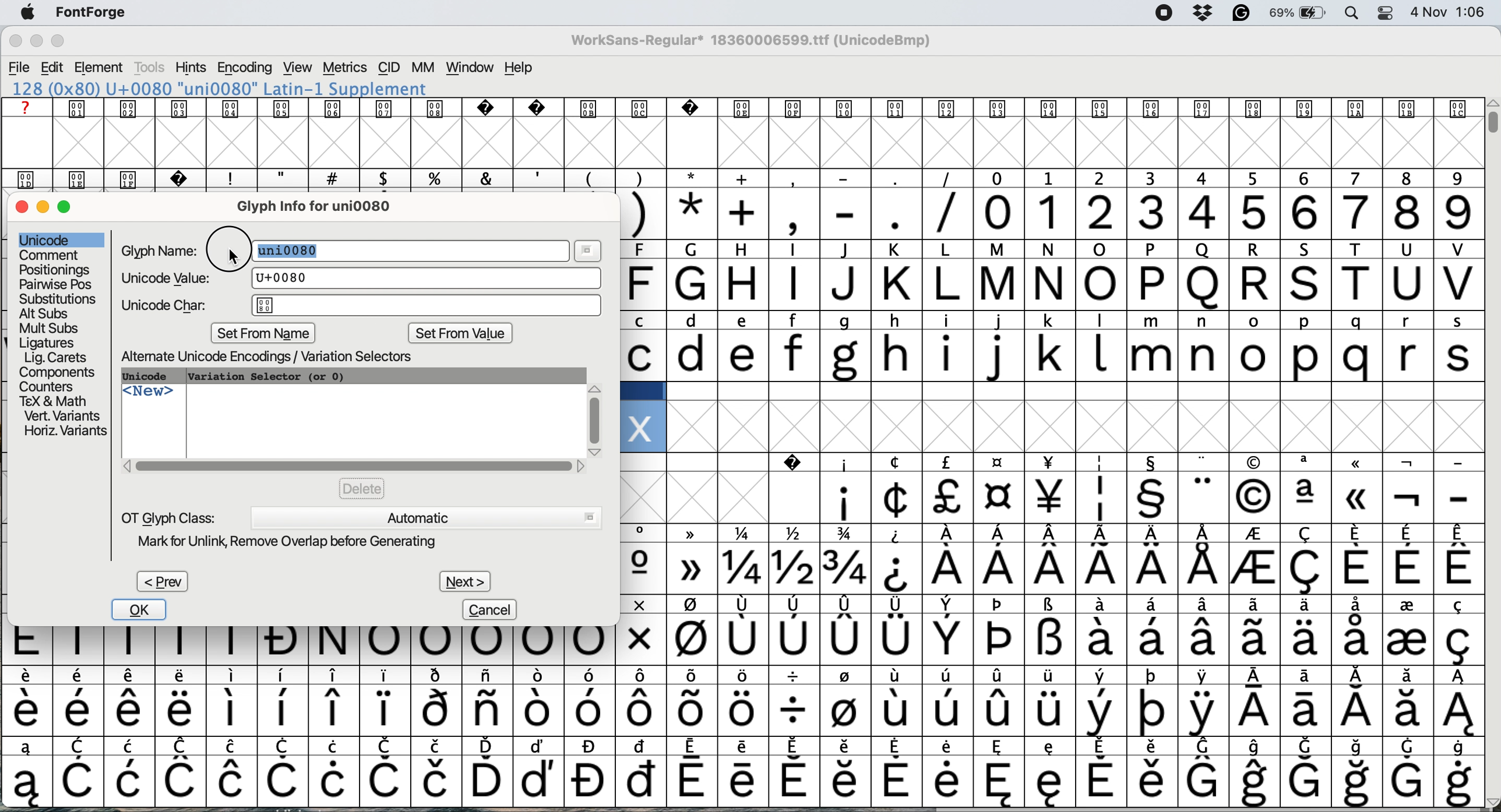 Image resolution: width=1501 pixels, height=812 pixels. What do you see at coordinates (19, 66) in the screenshot?
I see `file` at bounding box center [19, 66].